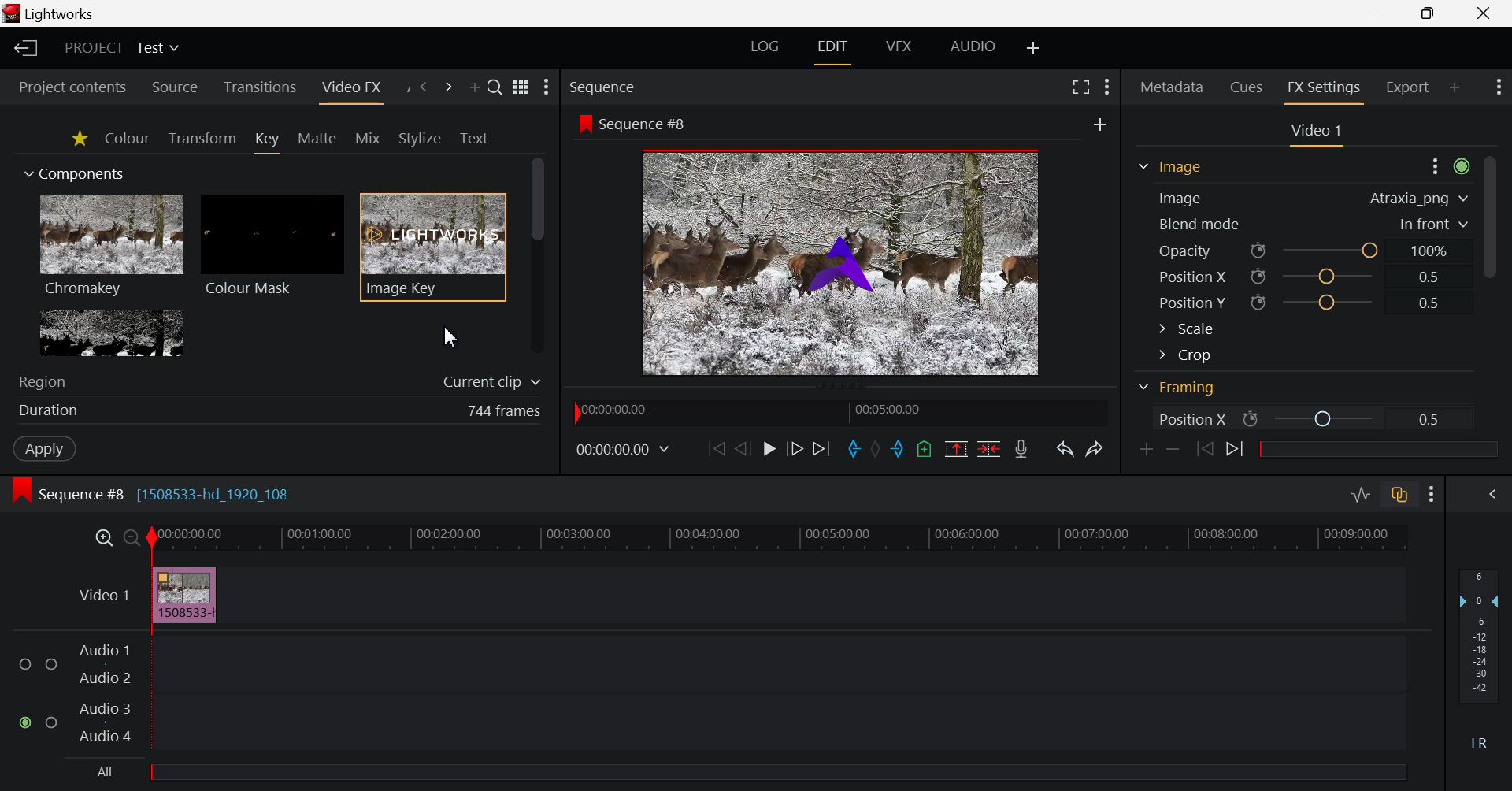  Describe the element at coordinates (1490, 494) in the screenshot. I see `Show Audio Mix` at that location.